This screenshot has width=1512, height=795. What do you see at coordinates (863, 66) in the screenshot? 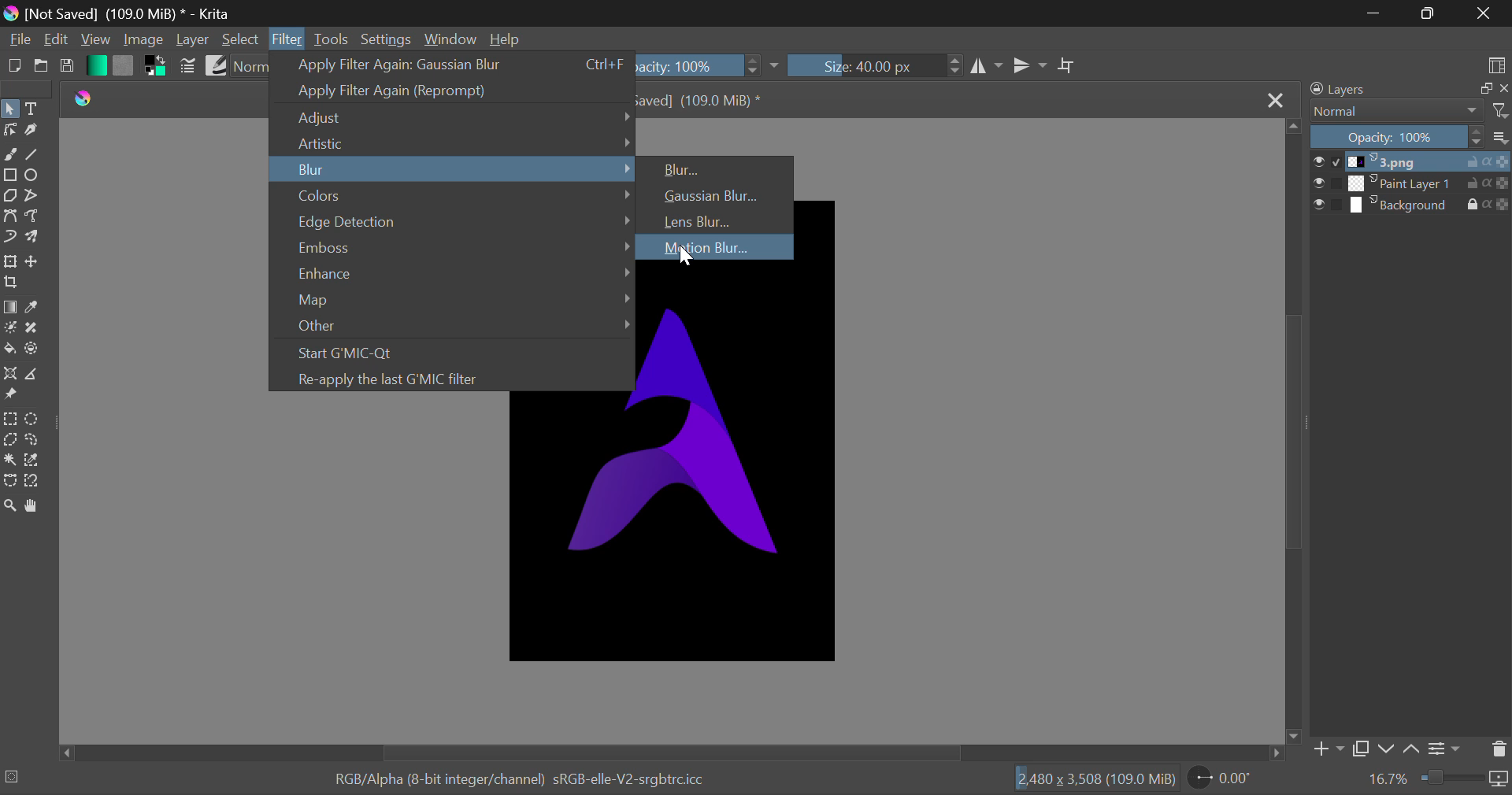
I see `Size: 40.00 px` at bounding box center [863, 66].